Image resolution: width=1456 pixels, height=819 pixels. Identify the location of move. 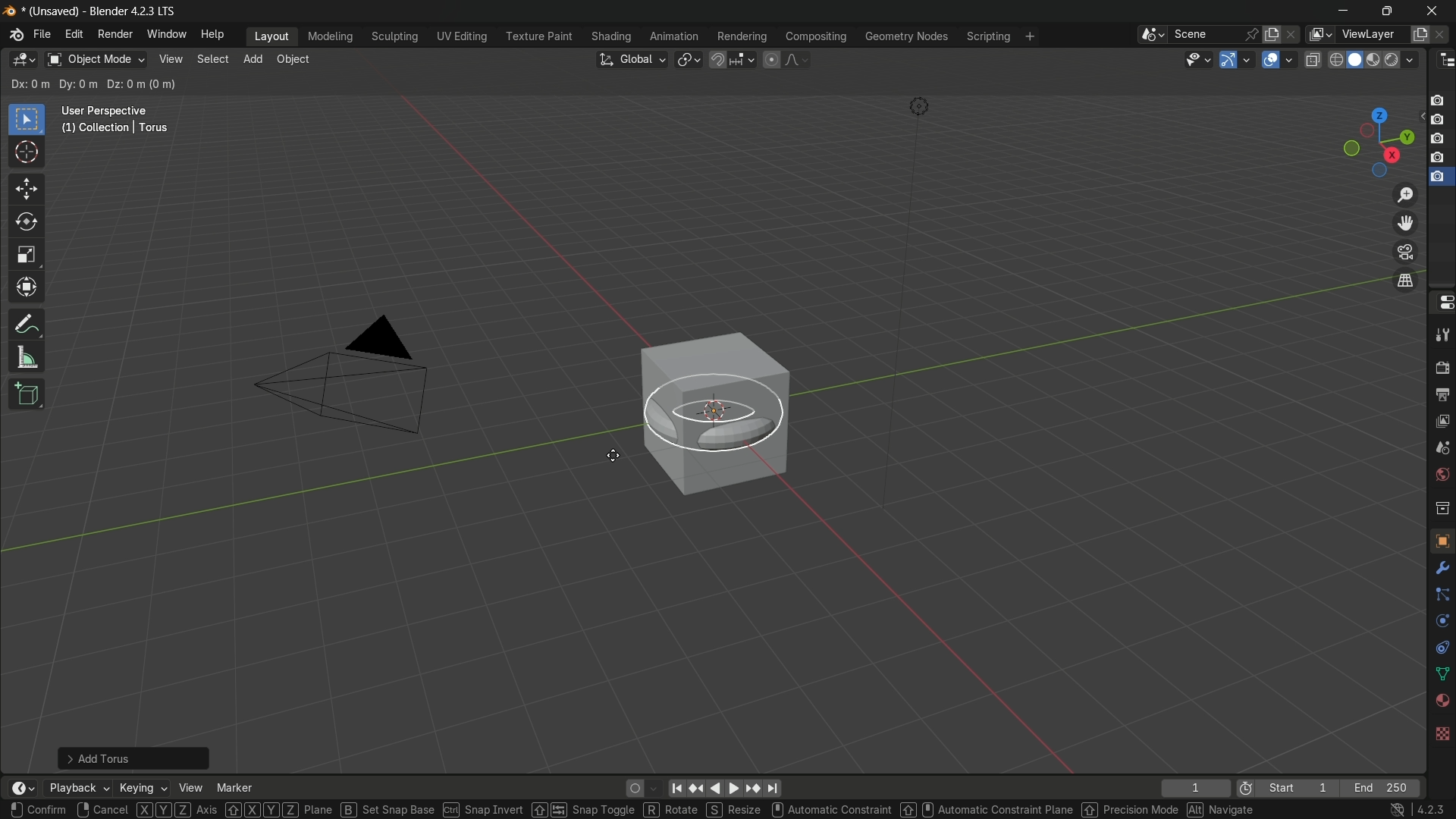
(27, 190).